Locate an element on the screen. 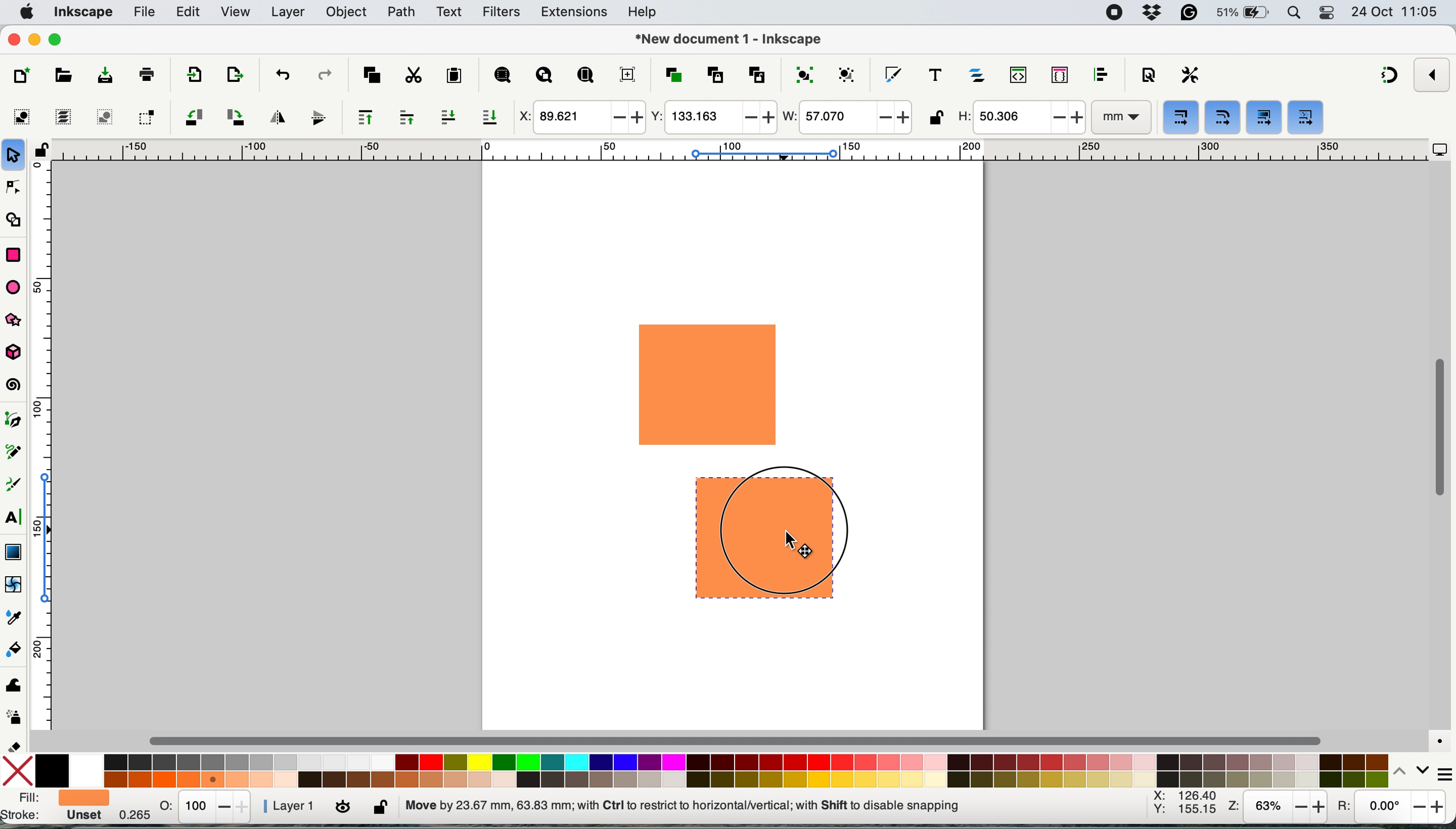  spotlight search is located at coordinates (1295, 14).